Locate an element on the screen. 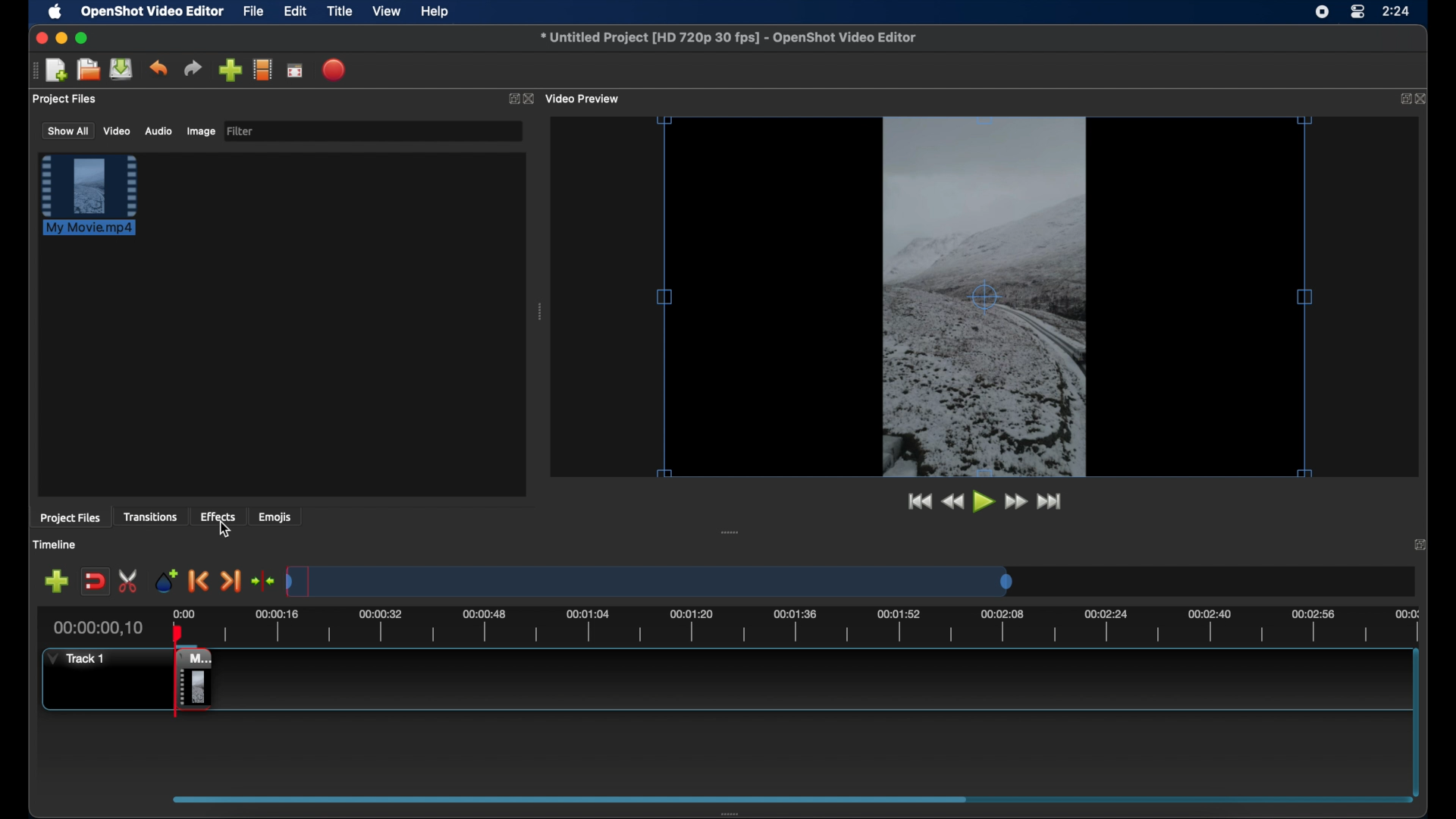 This screenshot has height=819, width=1456. close is located at coordinates (1423, 98).